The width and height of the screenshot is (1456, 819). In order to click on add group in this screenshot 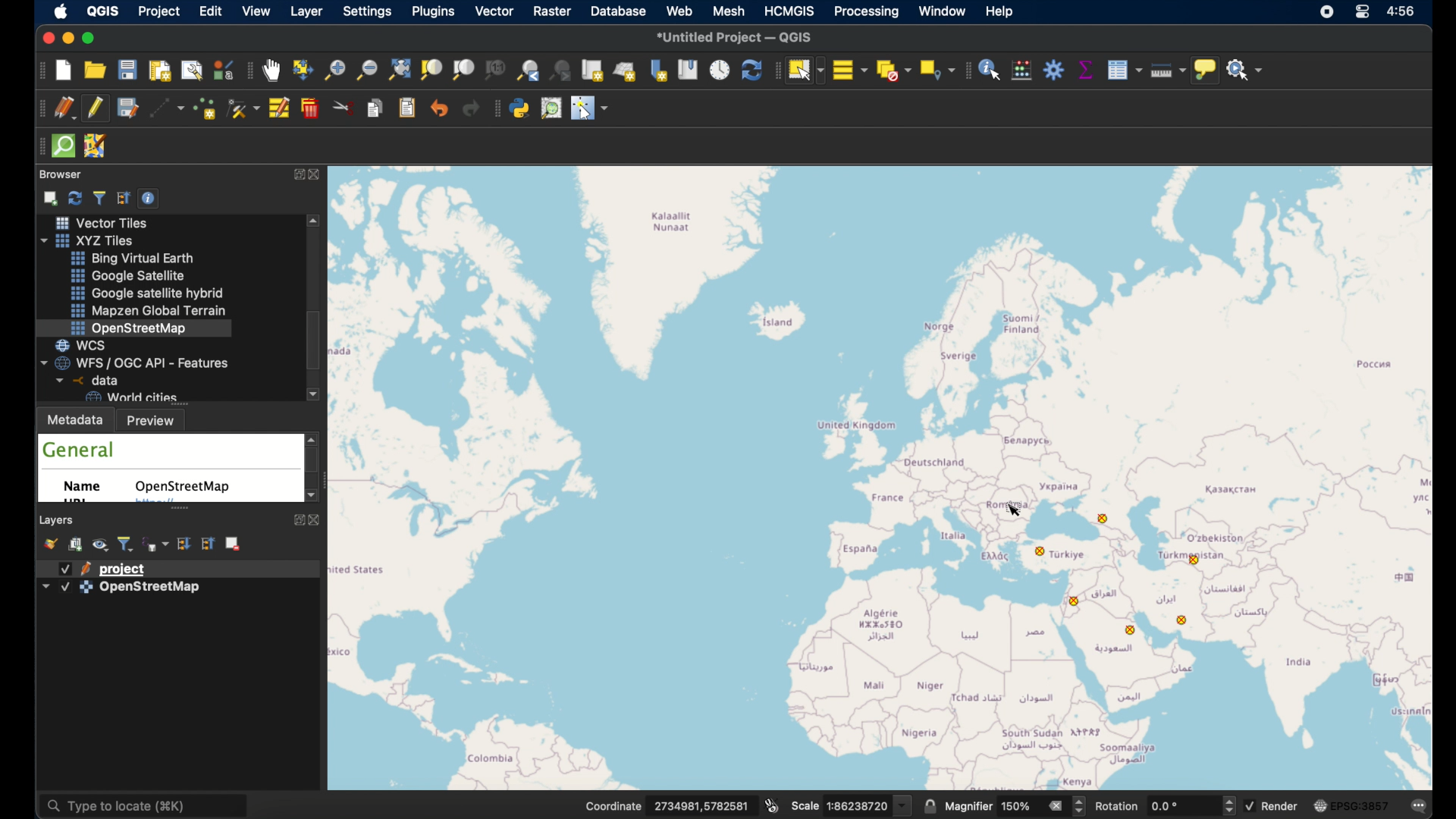, I will do `click(77, 545)`.